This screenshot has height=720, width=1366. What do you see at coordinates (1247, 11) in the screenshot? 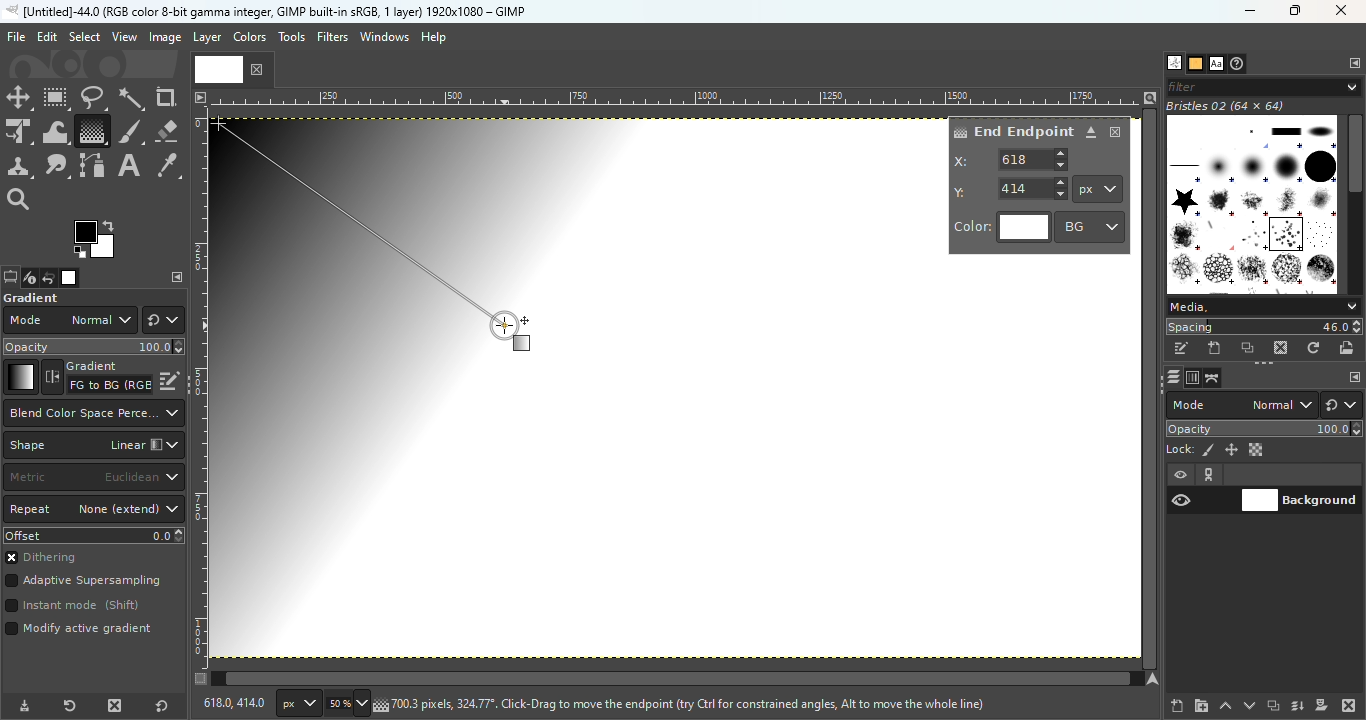
I see `Minimize` at bounding box center [1247, 11].